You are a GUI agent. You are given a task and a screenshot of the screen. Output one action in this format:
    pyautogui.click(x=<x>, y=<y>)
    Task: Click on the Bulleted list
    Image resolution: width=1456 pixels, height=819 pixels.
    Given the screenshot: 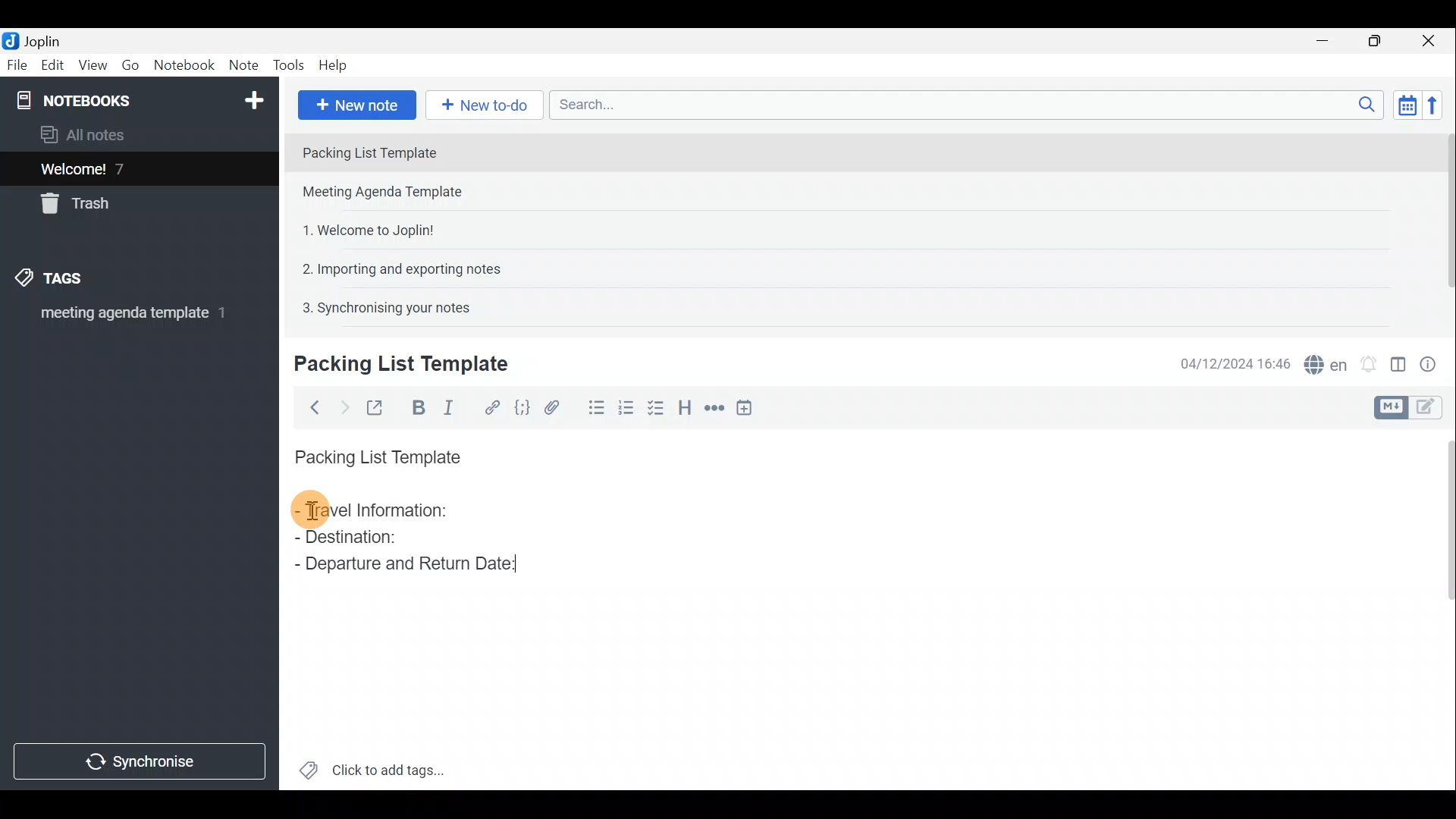 What is the action you would take?
    pyautogui.click(x=593, y=410)
    